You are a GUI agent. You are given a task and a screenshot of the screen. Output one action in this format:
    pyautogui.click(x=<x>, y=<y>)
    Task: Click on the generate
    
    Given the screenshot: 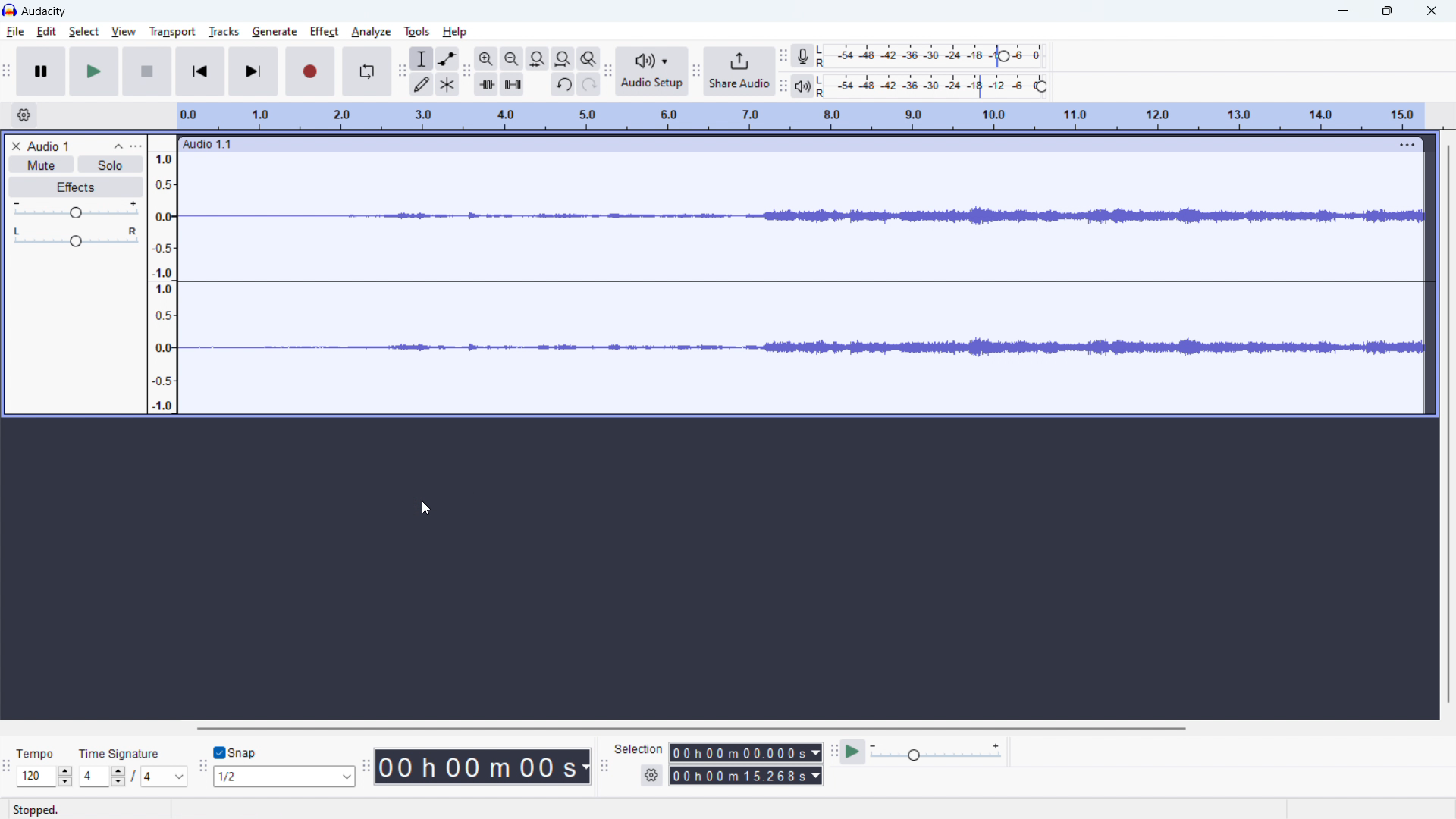 What is the action you would take?
    pyautogui.click(x=275, y=32)
    